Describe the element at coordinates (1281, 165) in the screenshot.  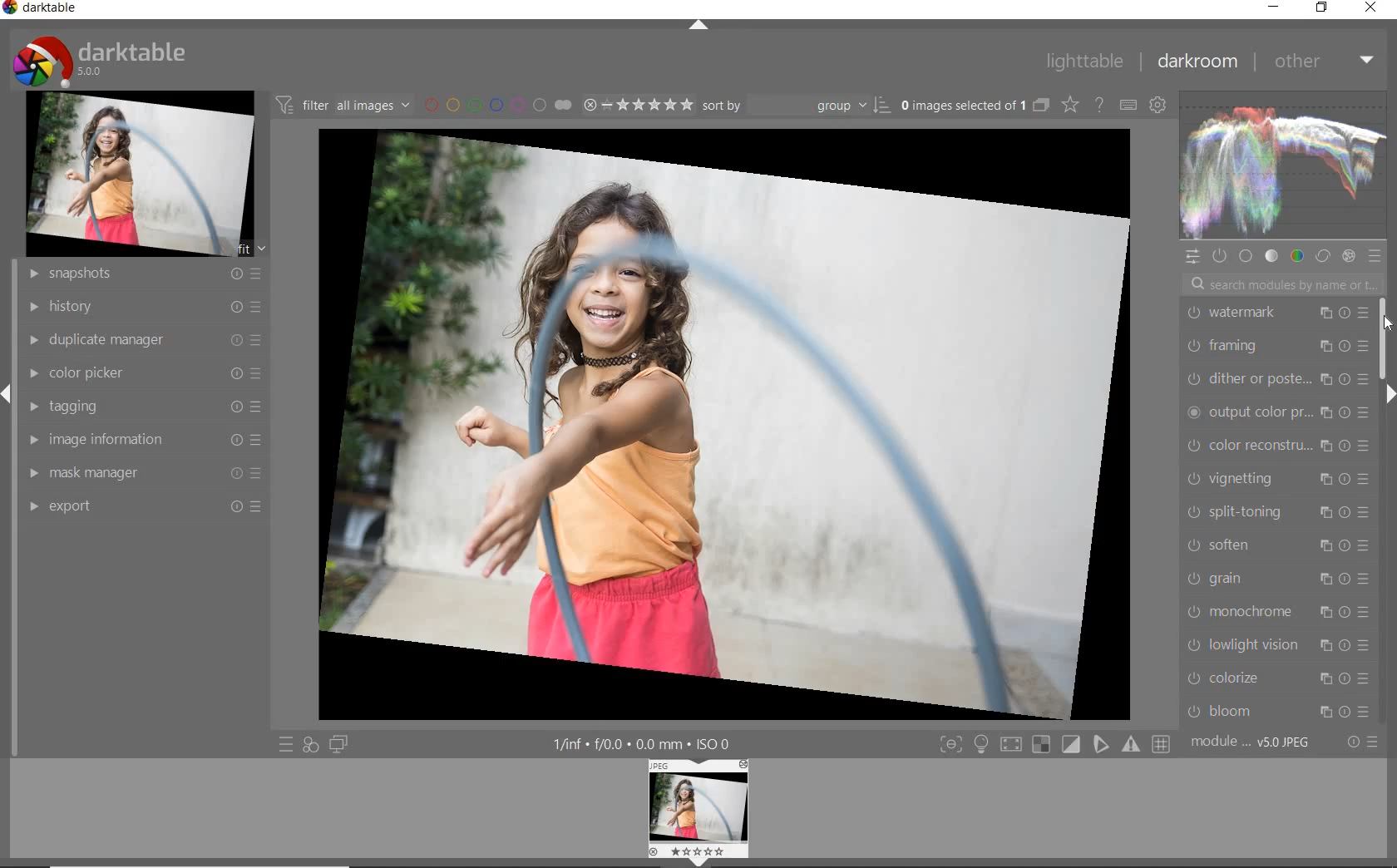
I see `waveform` at that location.